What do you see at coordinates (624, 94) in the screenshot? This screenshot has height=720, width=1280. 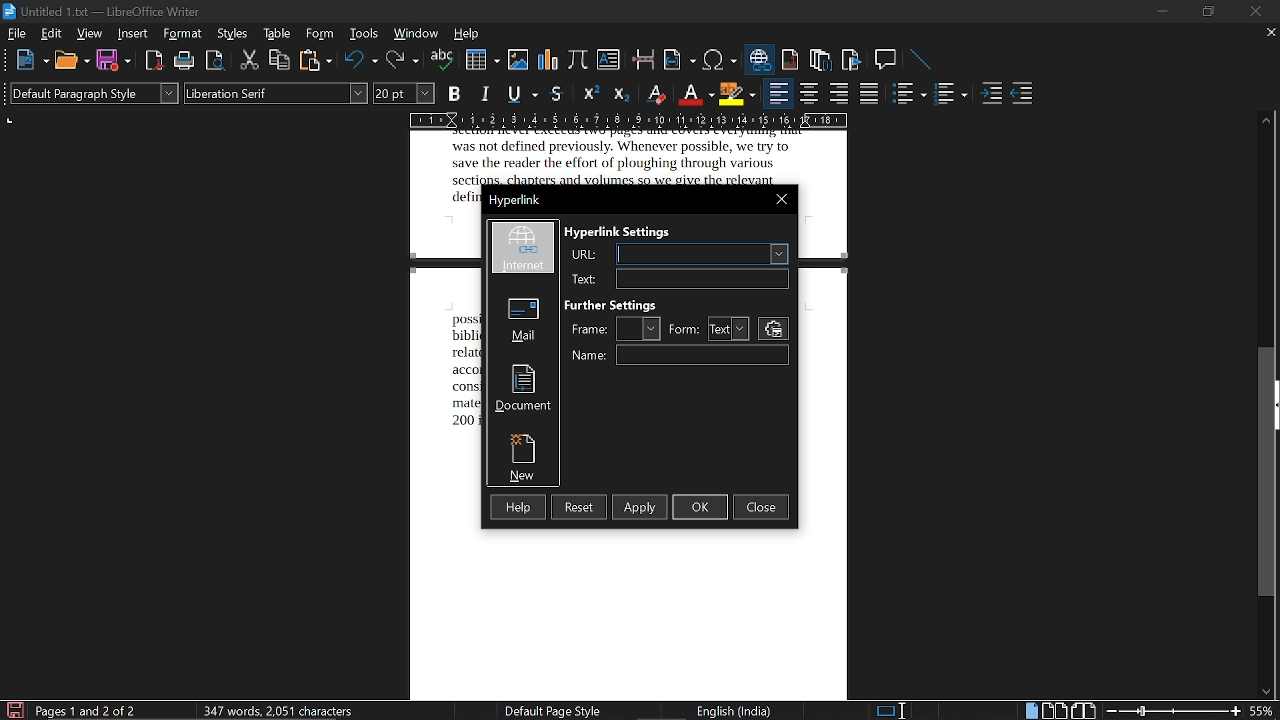 I see `subscript` at bounding box center [624, 94].